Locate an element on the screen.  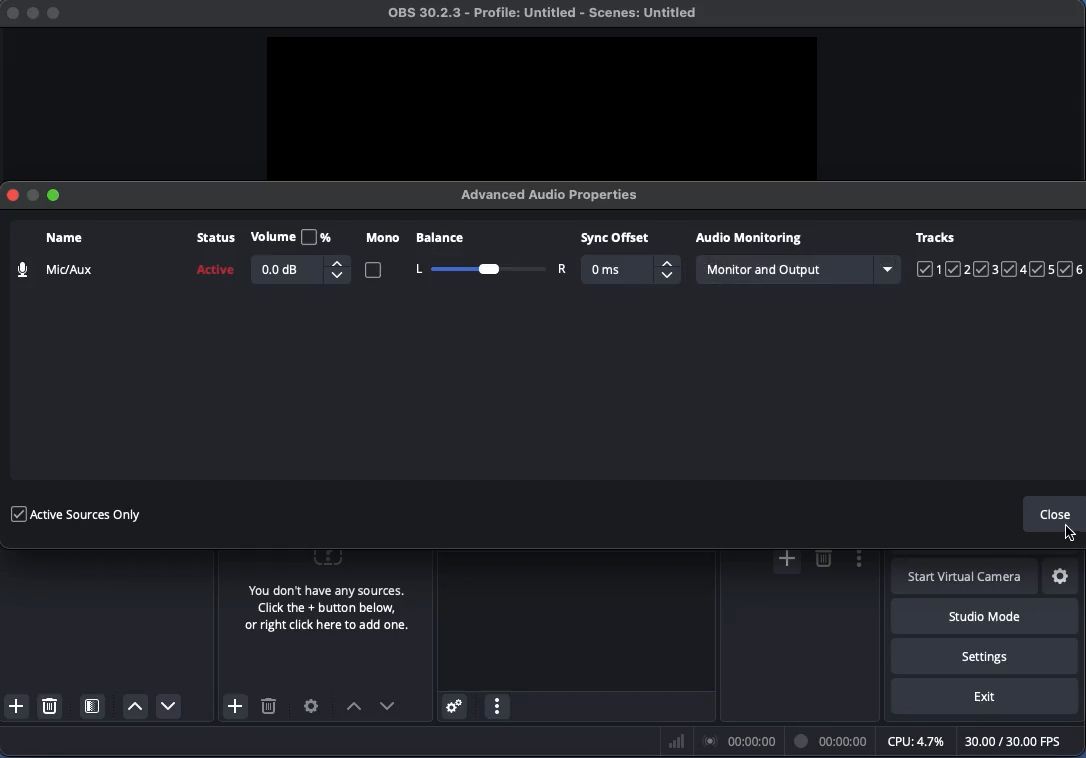
Move up is located at coordinates (135, 707).